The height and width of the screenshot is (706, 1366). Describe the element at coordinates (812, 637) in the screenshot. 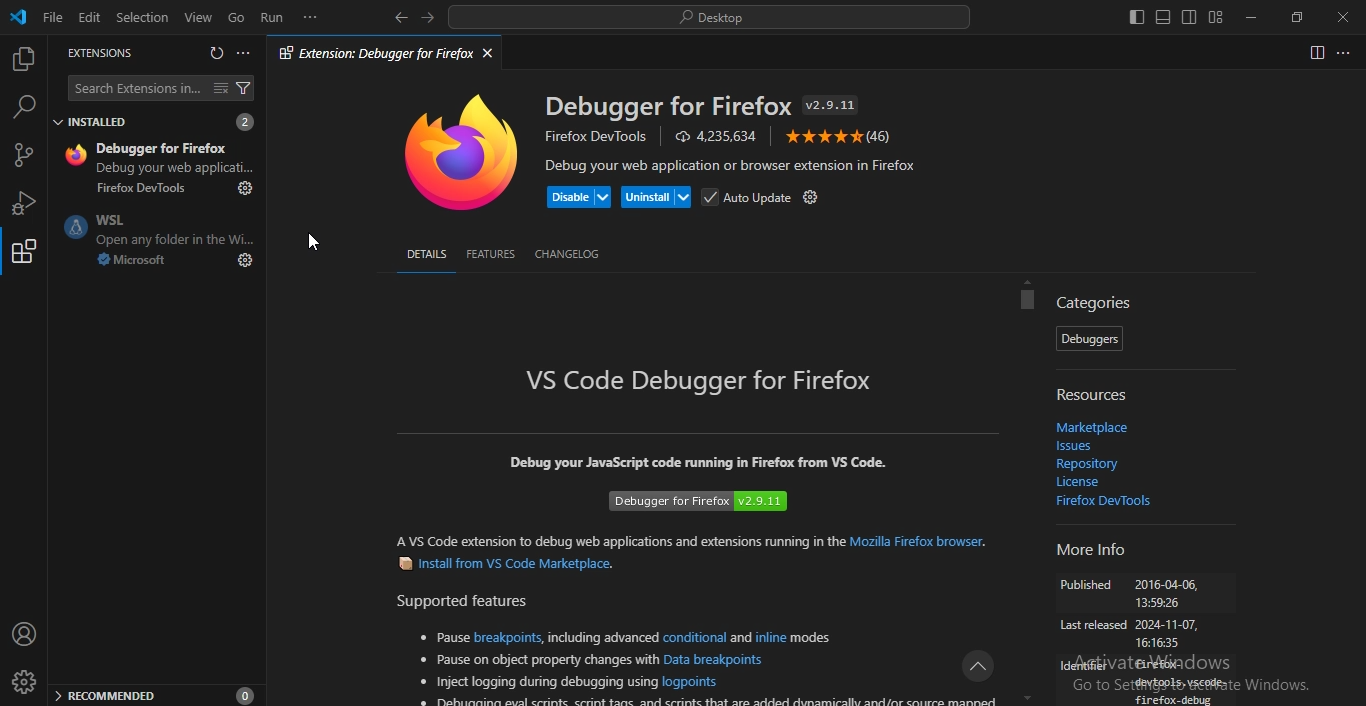

I see `modes` at that location.